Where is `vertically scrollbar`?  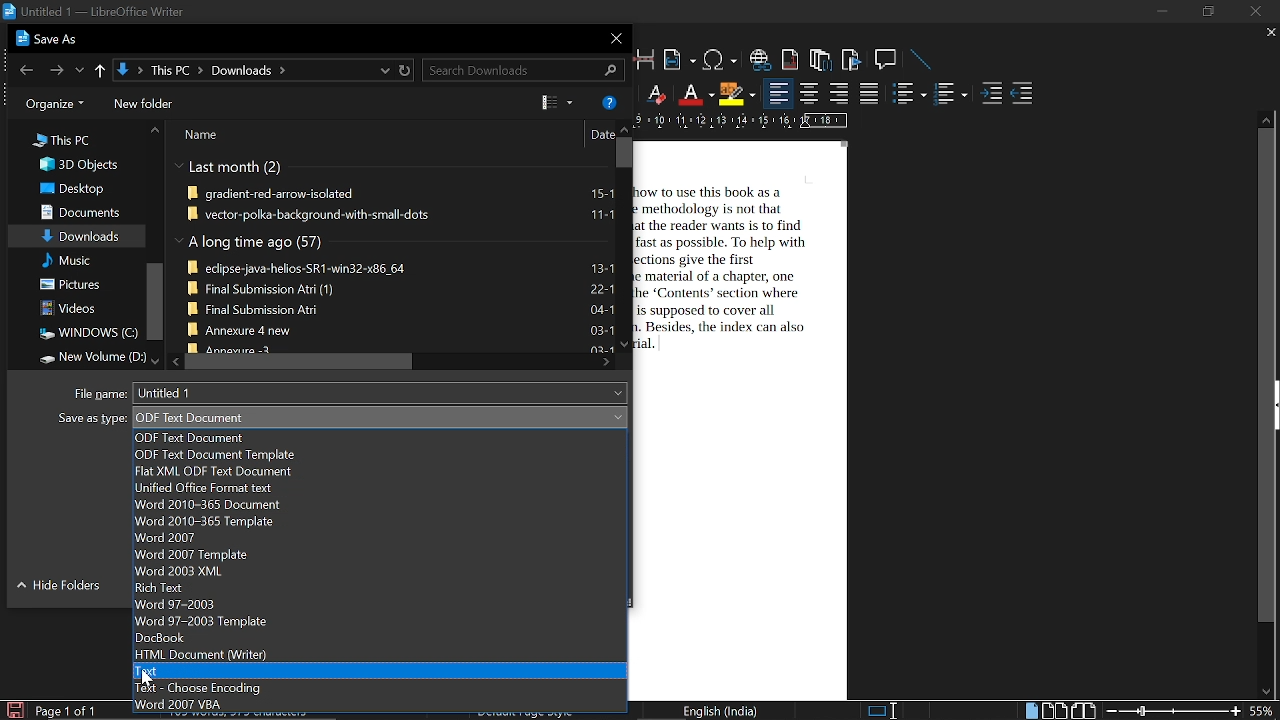
vertically scrollbar is located at coordinates (1267, 376).